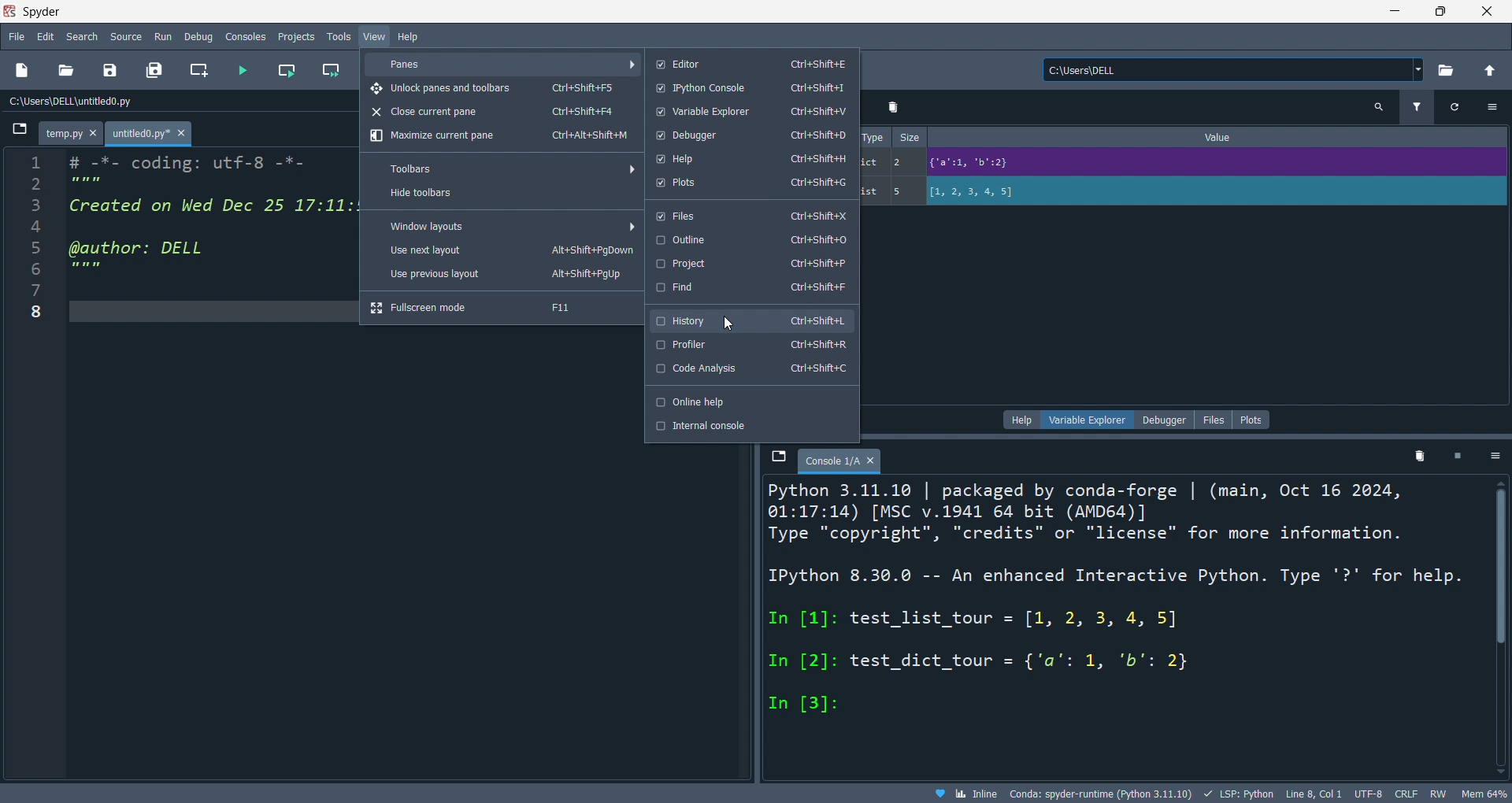 The width and height of the screenshot is (1512, 803). What do you see at coordinates (750, 89) in the screenshot?
I see `ipython console` at bounding box center [750, 89].